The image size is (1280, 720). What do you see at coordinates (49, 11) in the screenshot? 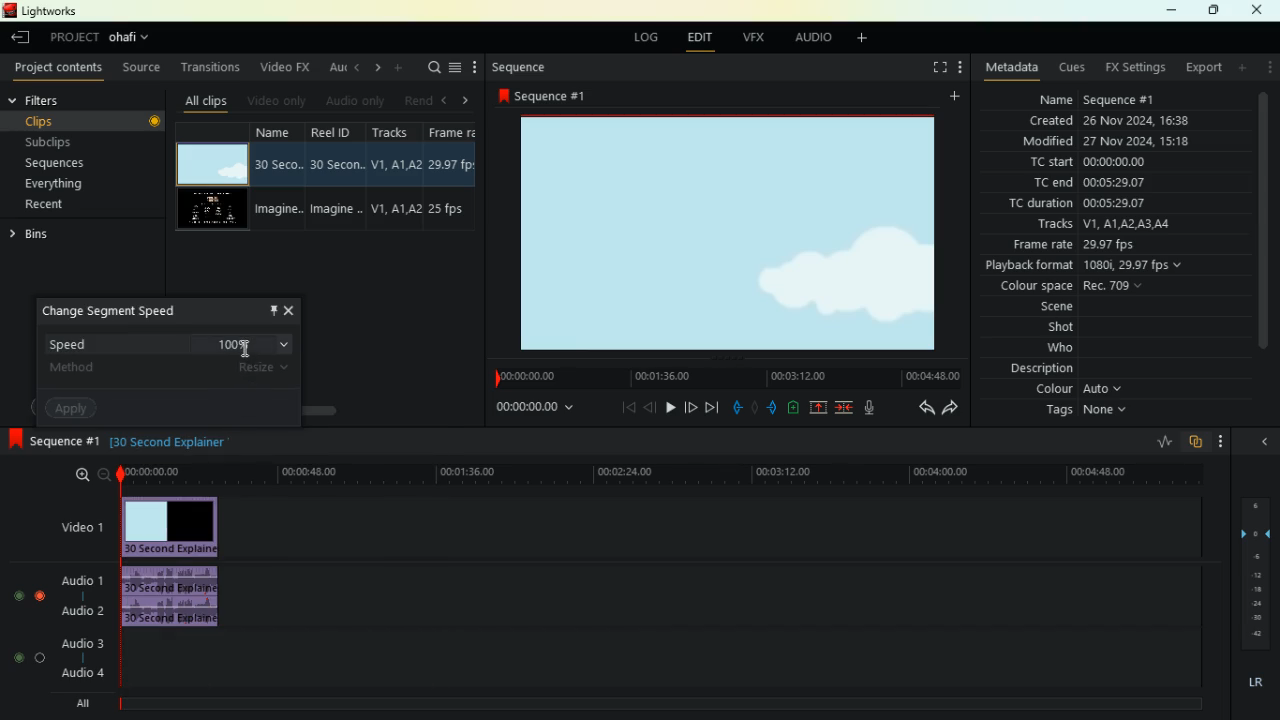
I see `lightworks` at bounding box center [49, 11].